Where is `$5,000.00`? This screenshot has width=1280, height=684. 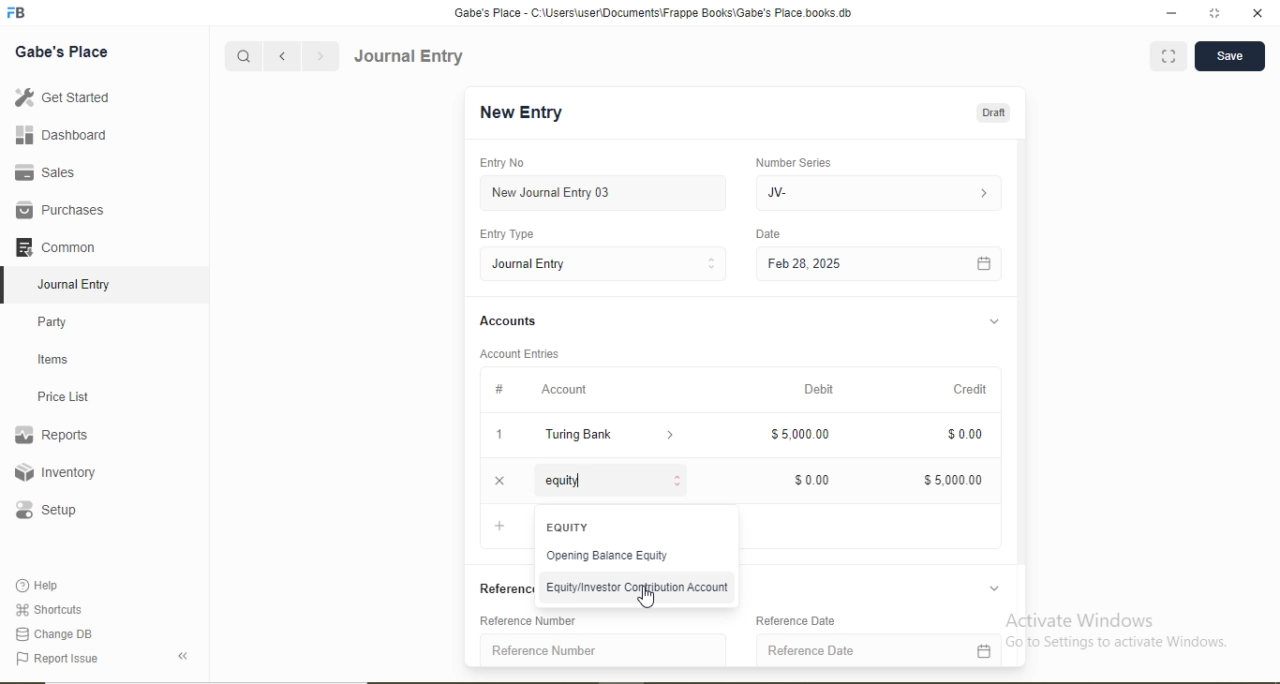 $5,000.00 is located at coordinates (800, 433).